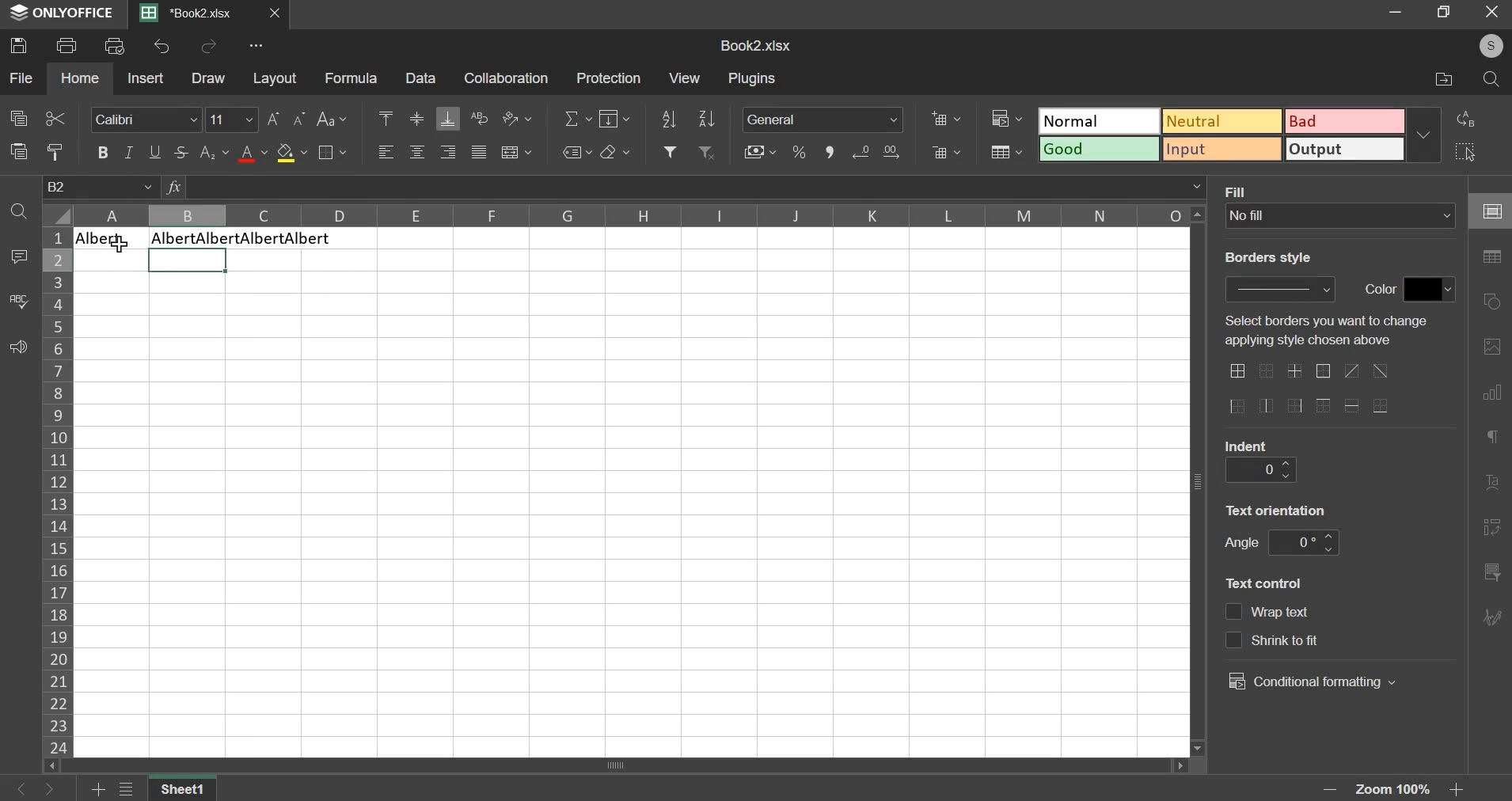 The height and width of the screenshot is (801, 1512). Describe the element at coordinates (1392, 788) in the screenshot. I see `zoom` at that location.